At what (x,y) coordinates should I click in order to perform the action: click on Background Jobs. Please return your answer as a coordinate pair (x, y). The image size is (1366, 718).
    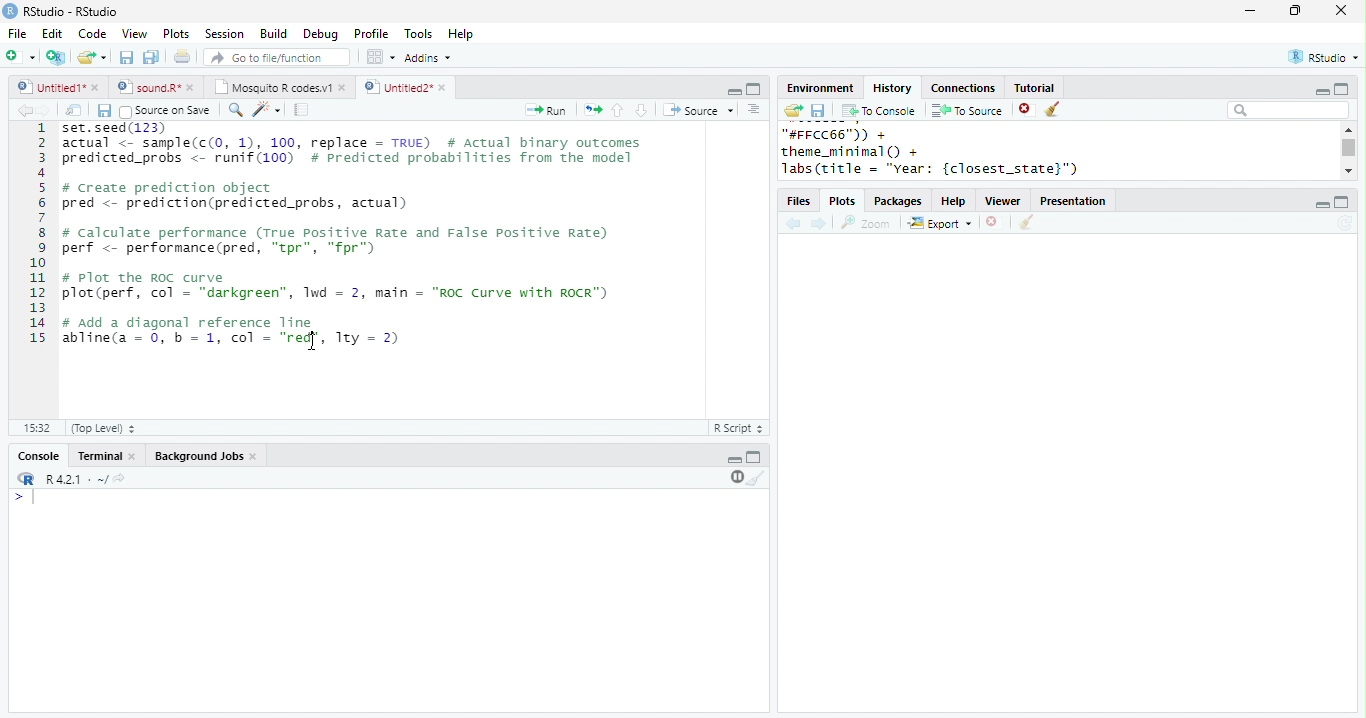
    Looking at the image, I should click on (198, 456).